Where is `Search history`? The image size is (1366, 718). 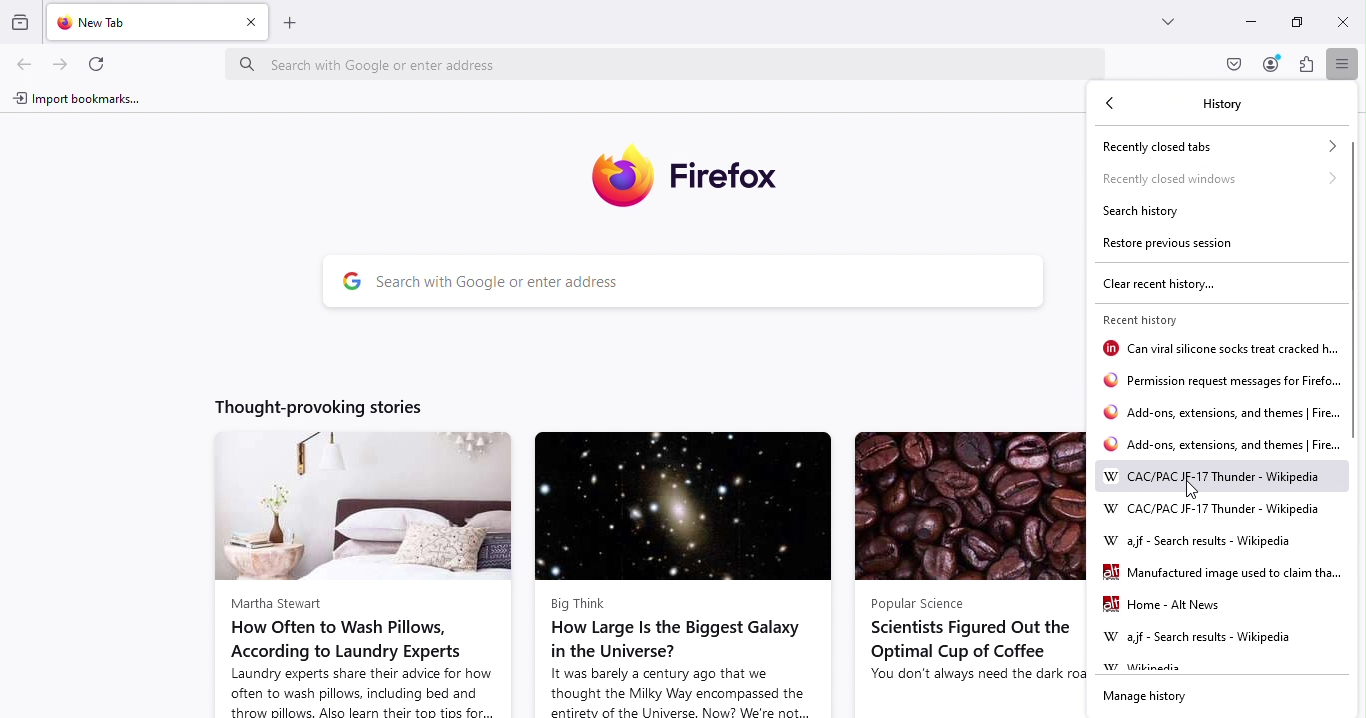
Search history is located at coordinates (1155, 214).